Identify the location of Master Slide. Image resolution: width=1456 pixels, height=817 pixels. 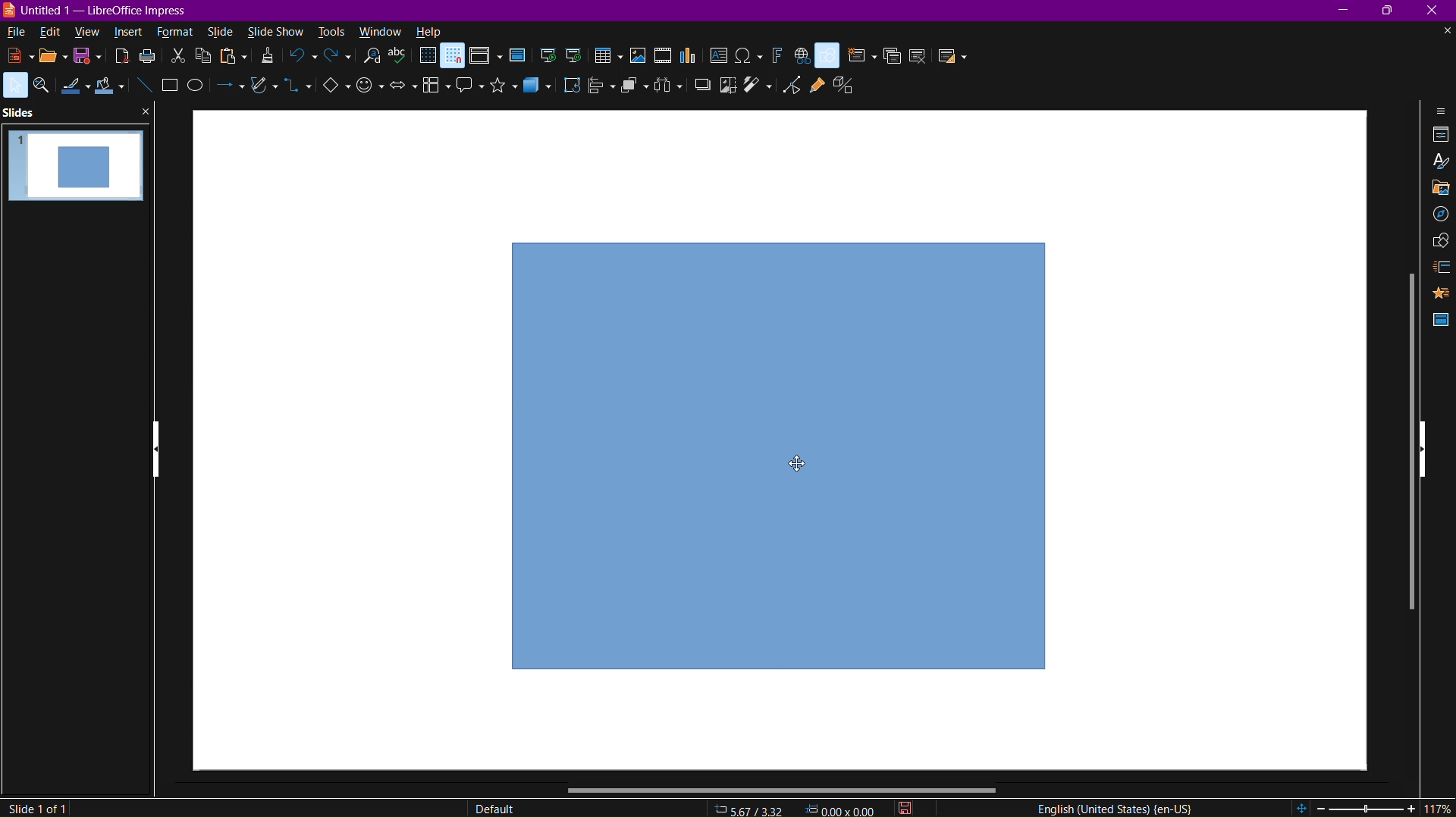
(1439, 320).